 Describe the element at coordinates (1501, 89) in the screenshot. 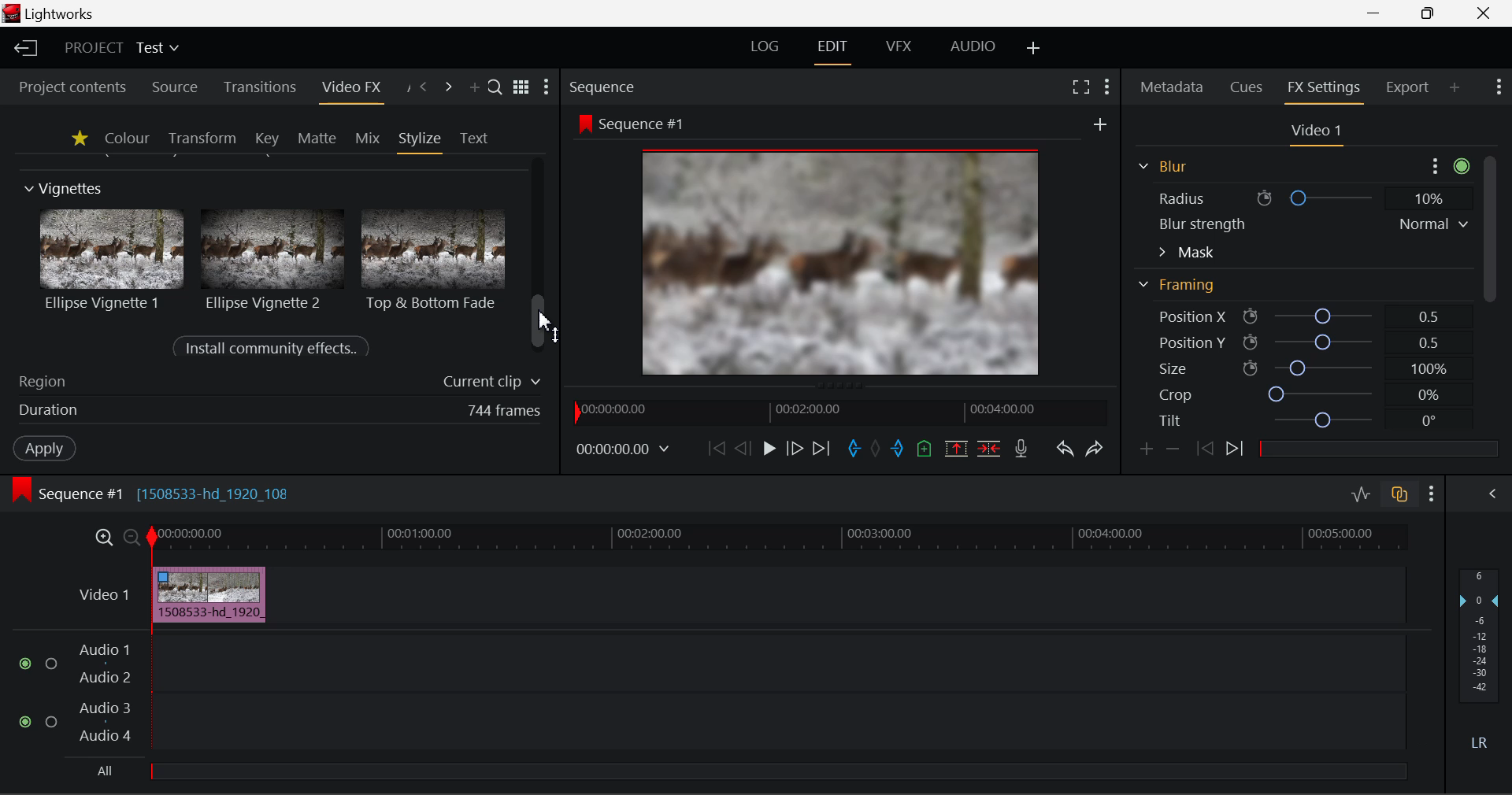

I see `Show Settings` at that location.